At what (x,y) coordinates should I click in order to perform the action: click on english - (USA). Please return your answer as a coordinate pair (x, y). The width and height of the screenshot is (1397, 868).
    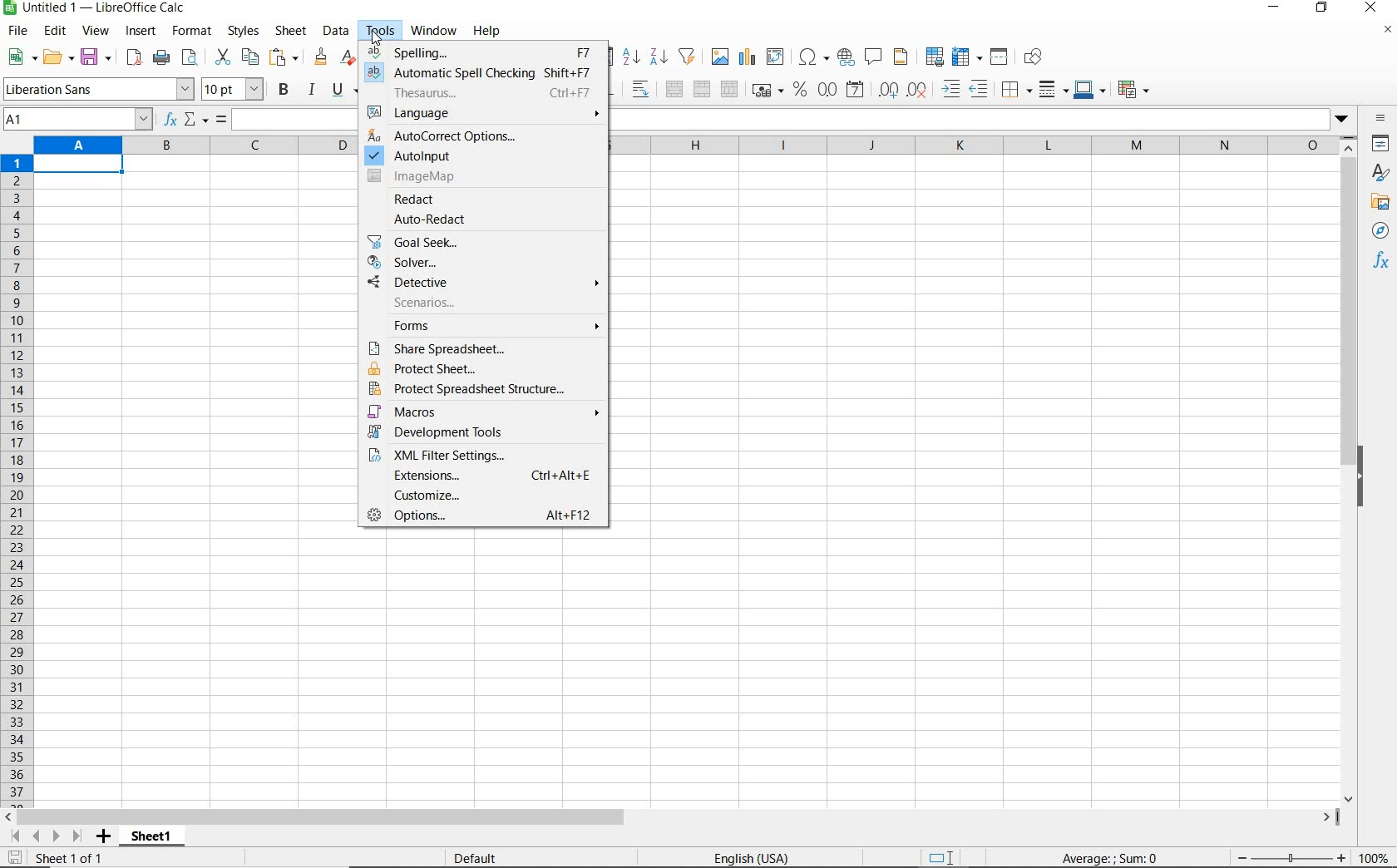
    Looking at the image, I should click on (744, 855).